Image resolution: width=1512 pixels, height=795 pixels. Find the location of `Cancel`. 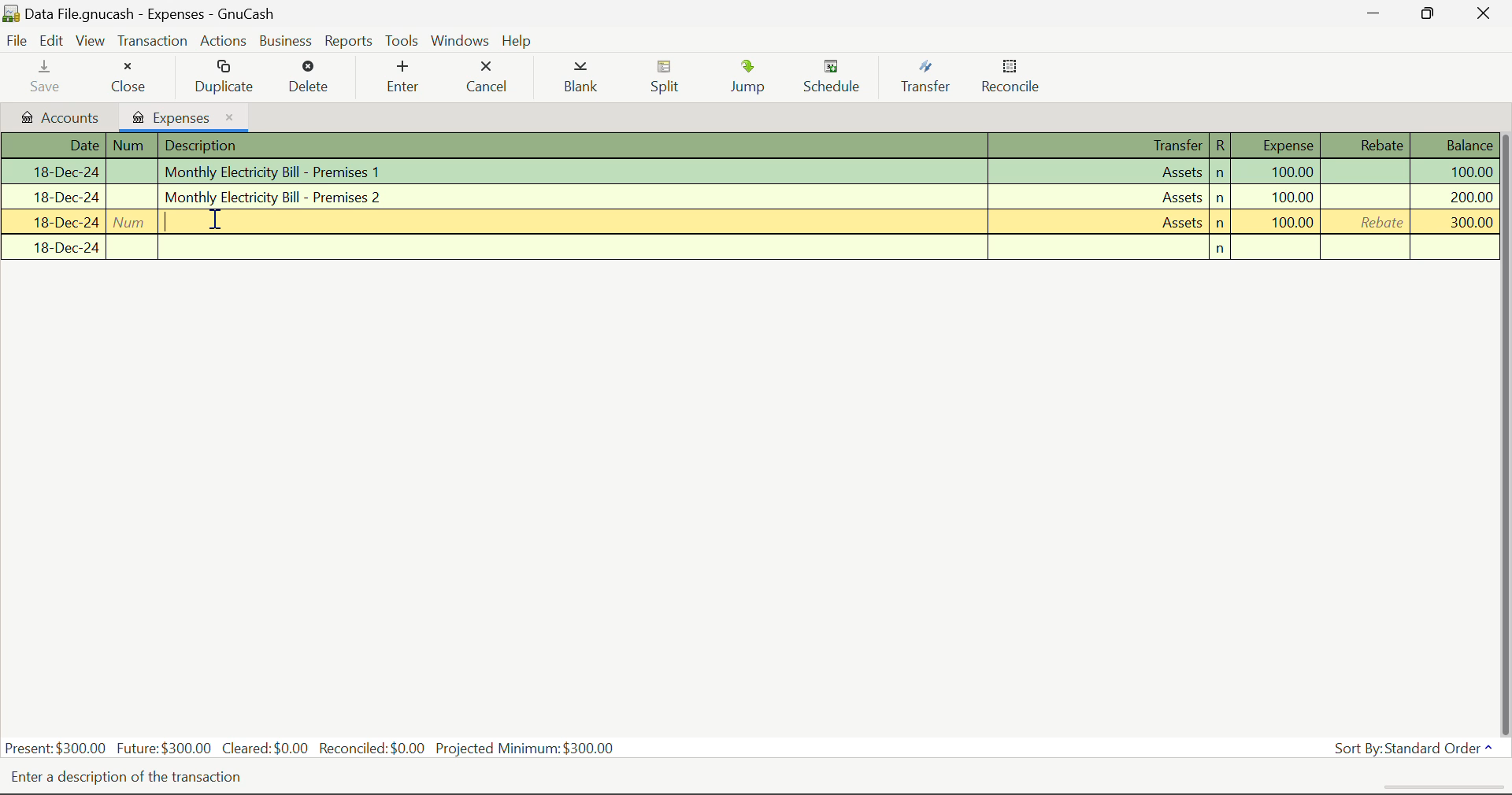

Cancel is located at coordinates (491, 79).